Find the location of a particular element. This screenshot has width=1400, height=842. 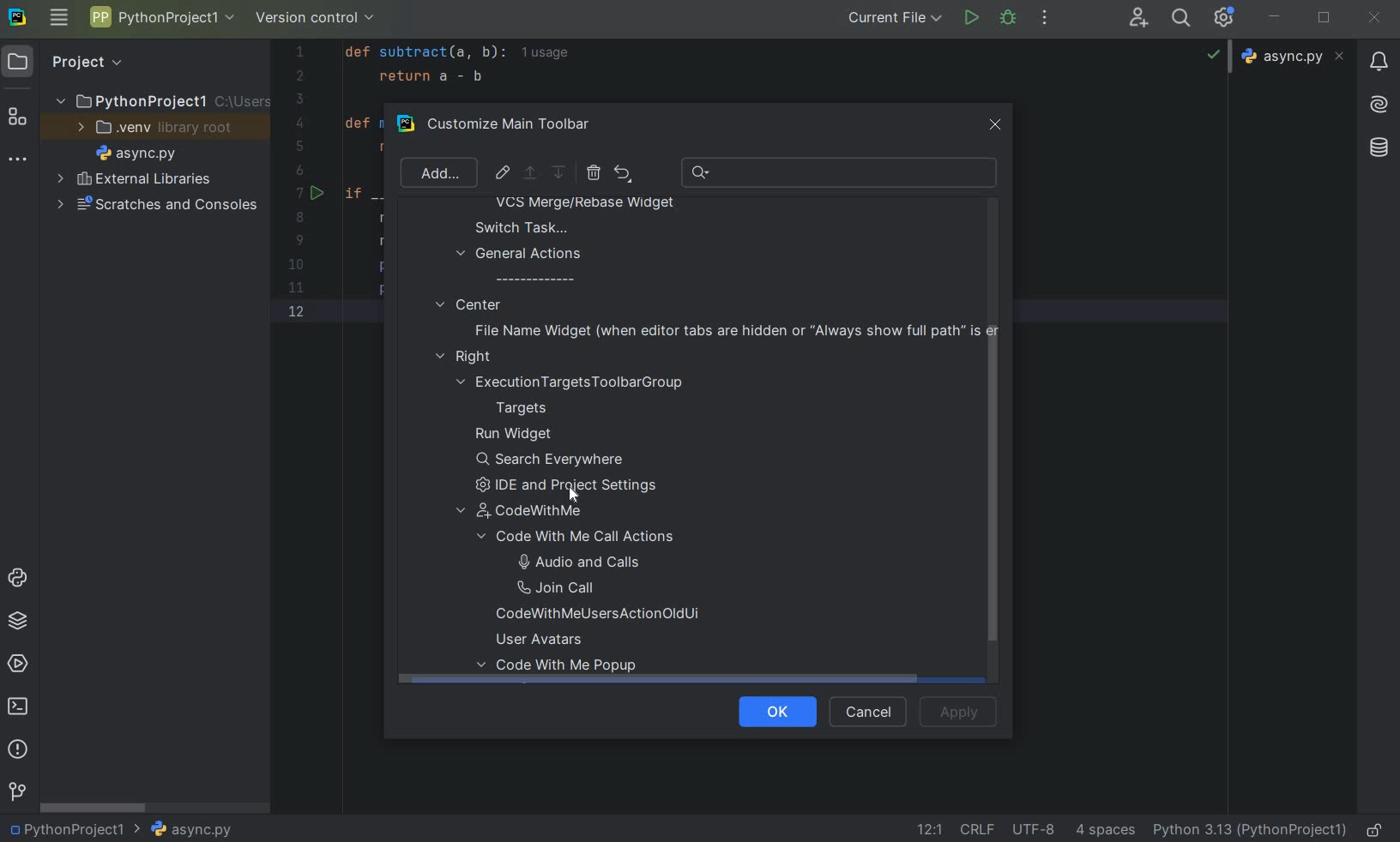

execution Targets Toolbar Group is located at coordinates (573, 382).